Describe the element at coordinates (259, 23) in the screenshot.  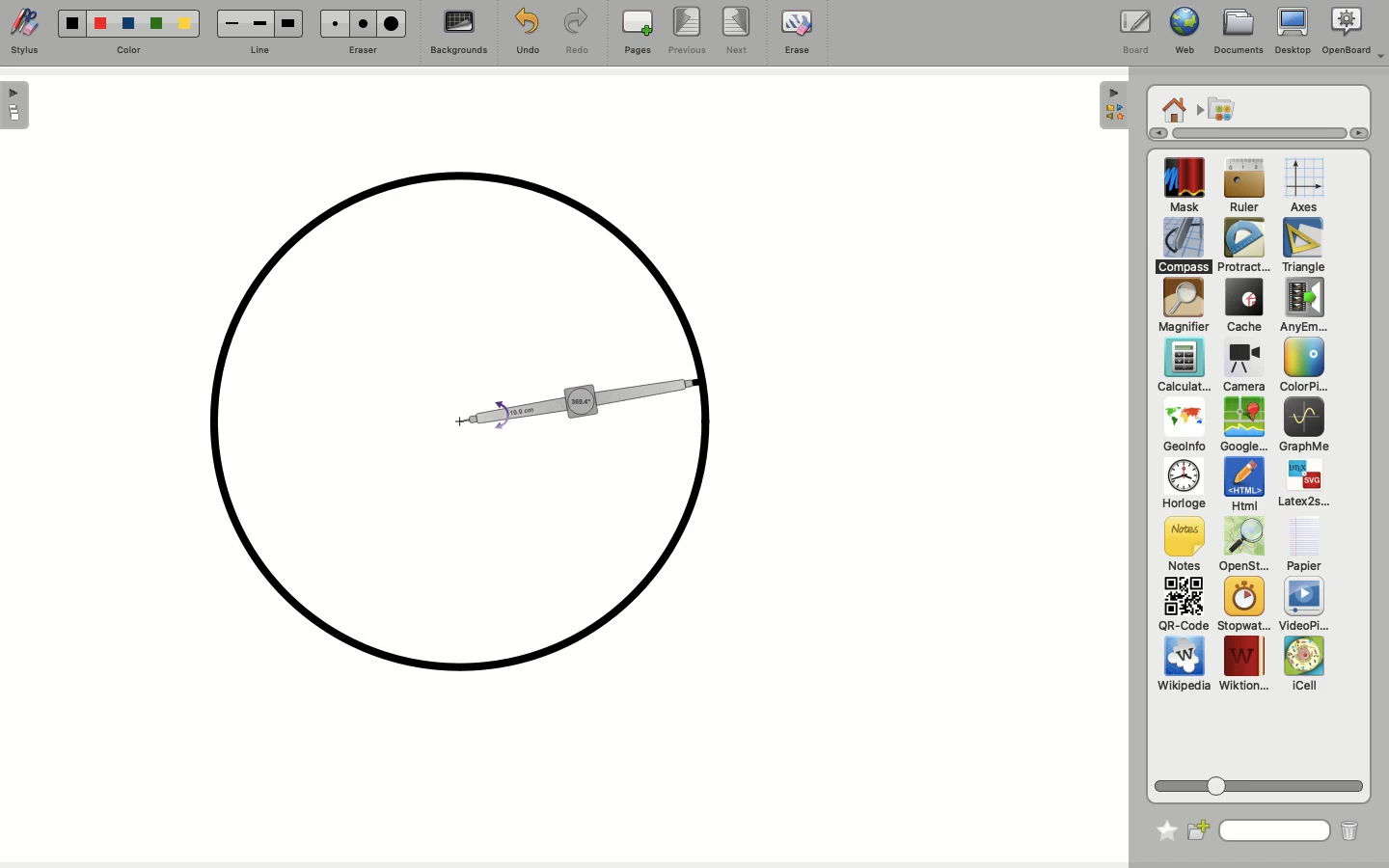
I see `line2` at that location.